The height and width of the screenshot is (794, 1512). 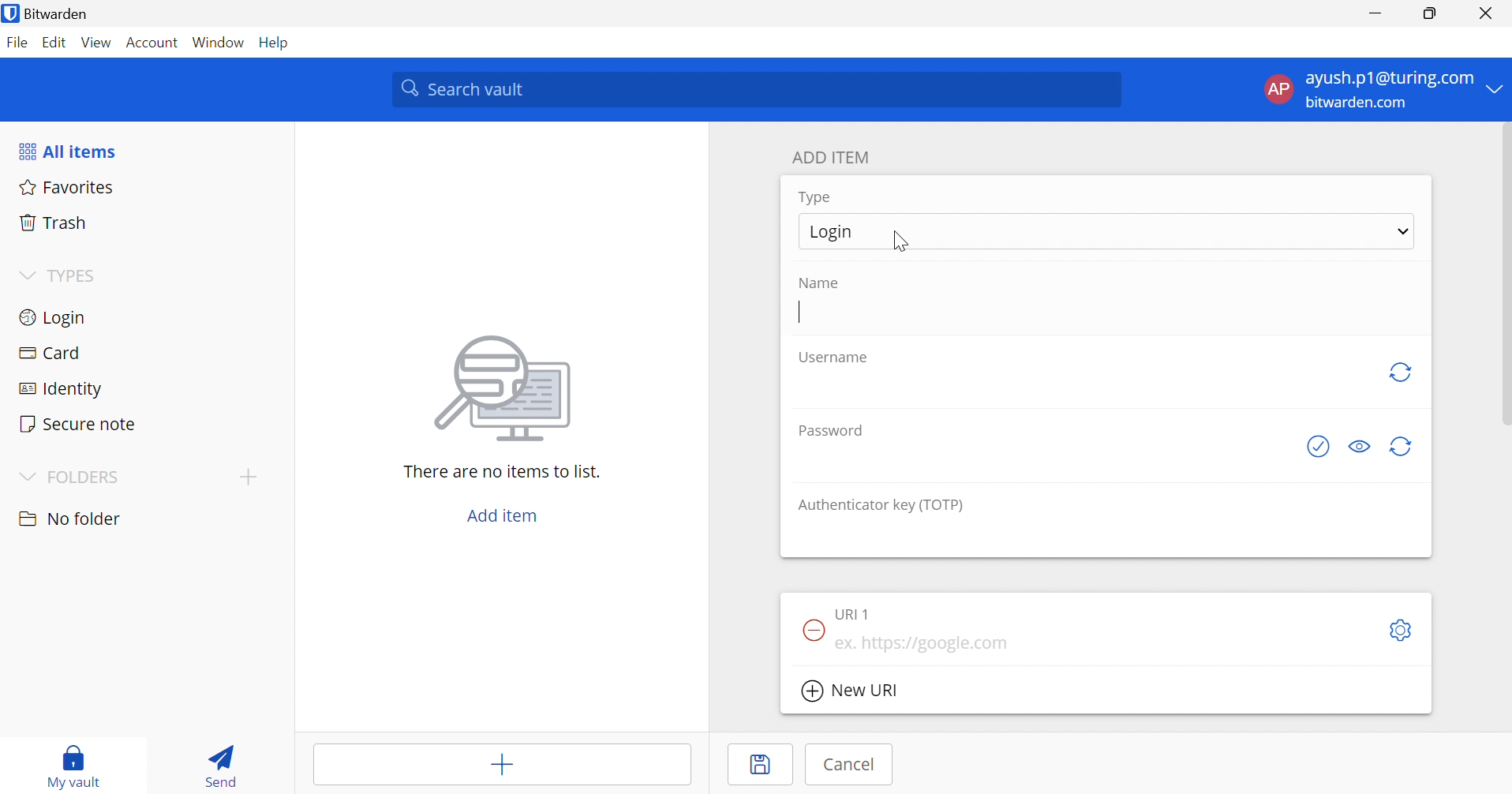 What do you see at coordinates (831, 233) in the screenshot?
I see `Login` at bounding box center [831, 233].